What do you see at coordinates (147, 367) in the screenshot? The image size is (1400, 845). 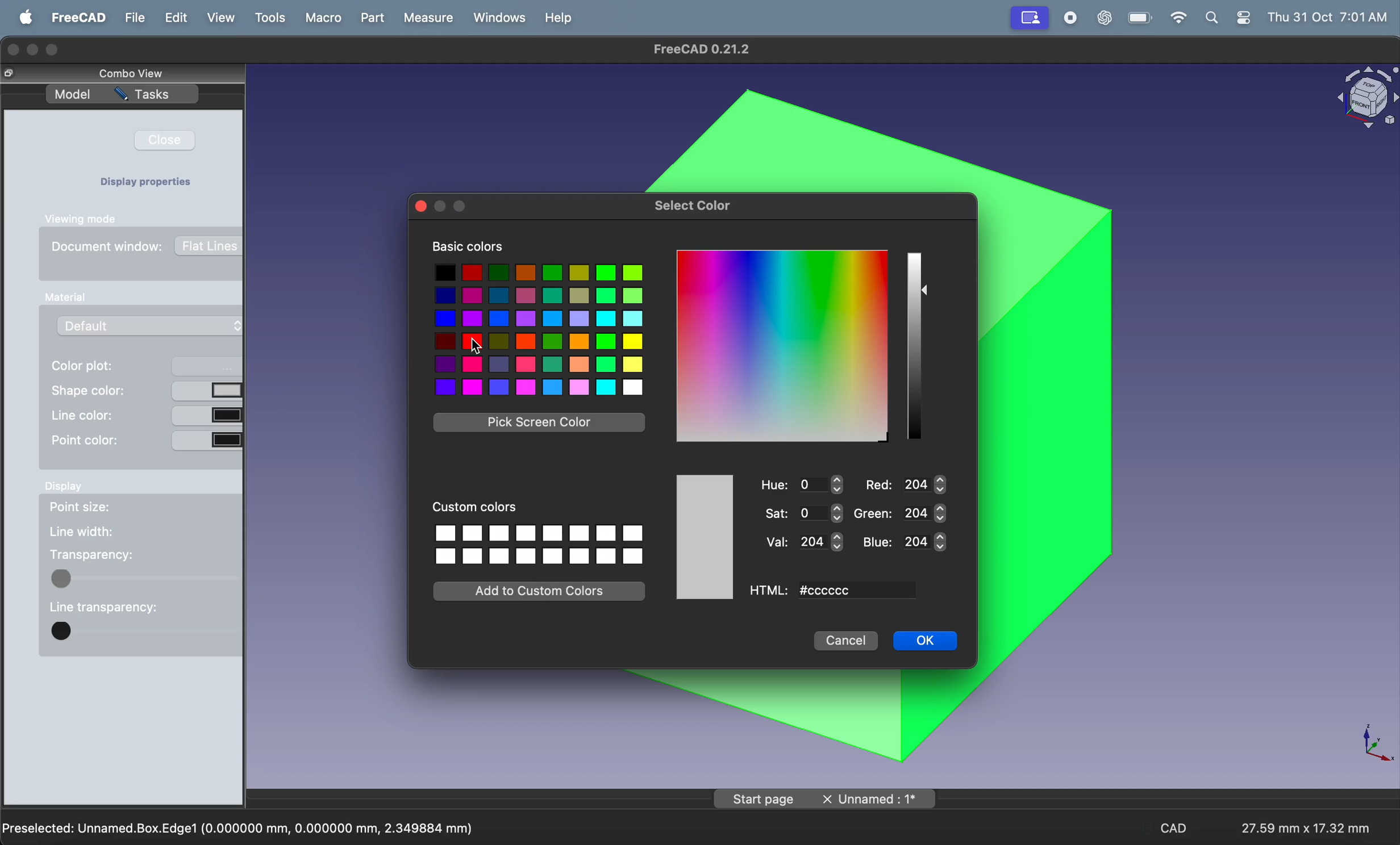 I see `color plot` at bounding box center [147, 367].